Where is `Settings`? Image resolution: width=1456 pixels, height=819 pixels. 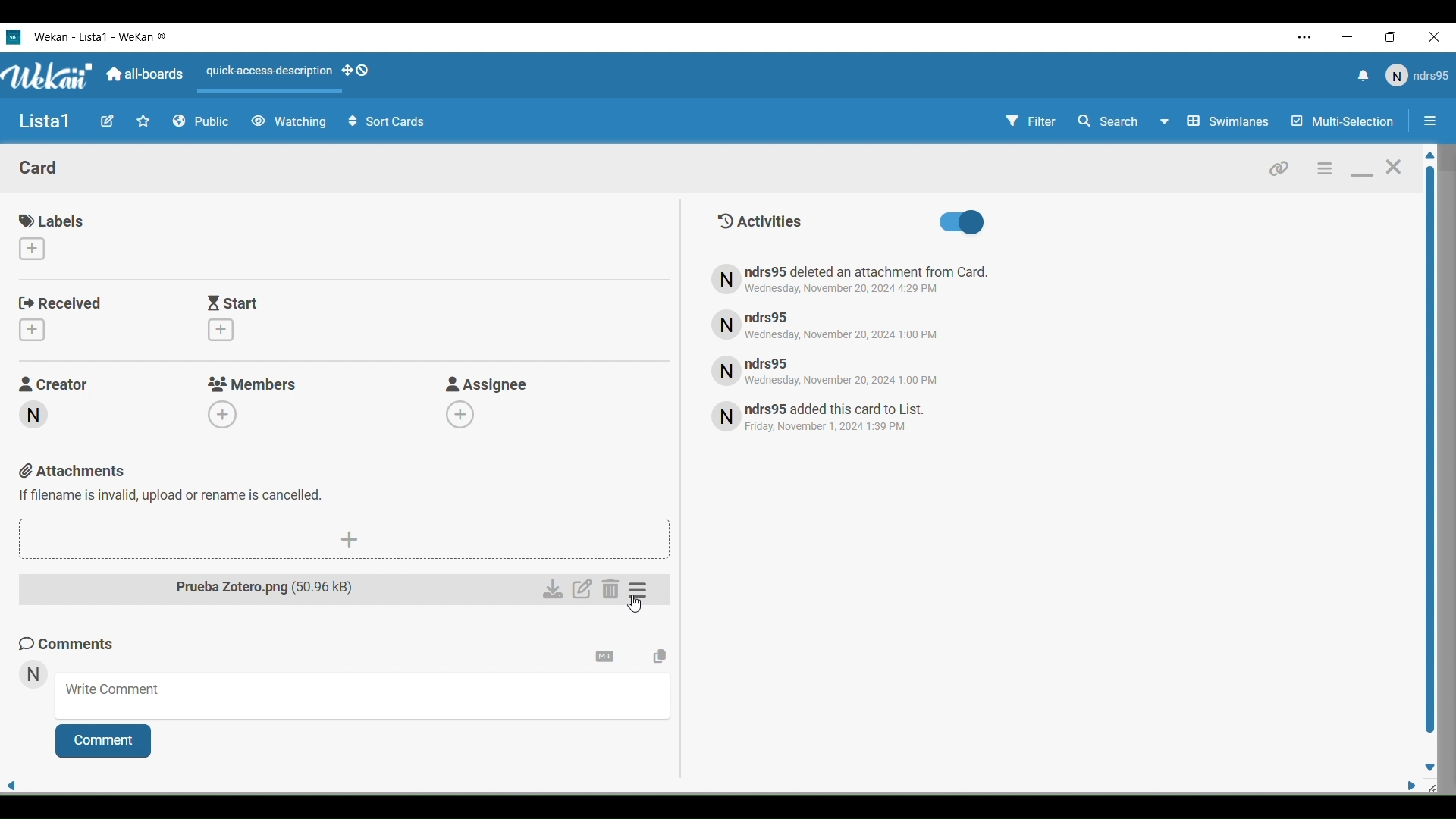 Settings is located at coordinates (641, 590).